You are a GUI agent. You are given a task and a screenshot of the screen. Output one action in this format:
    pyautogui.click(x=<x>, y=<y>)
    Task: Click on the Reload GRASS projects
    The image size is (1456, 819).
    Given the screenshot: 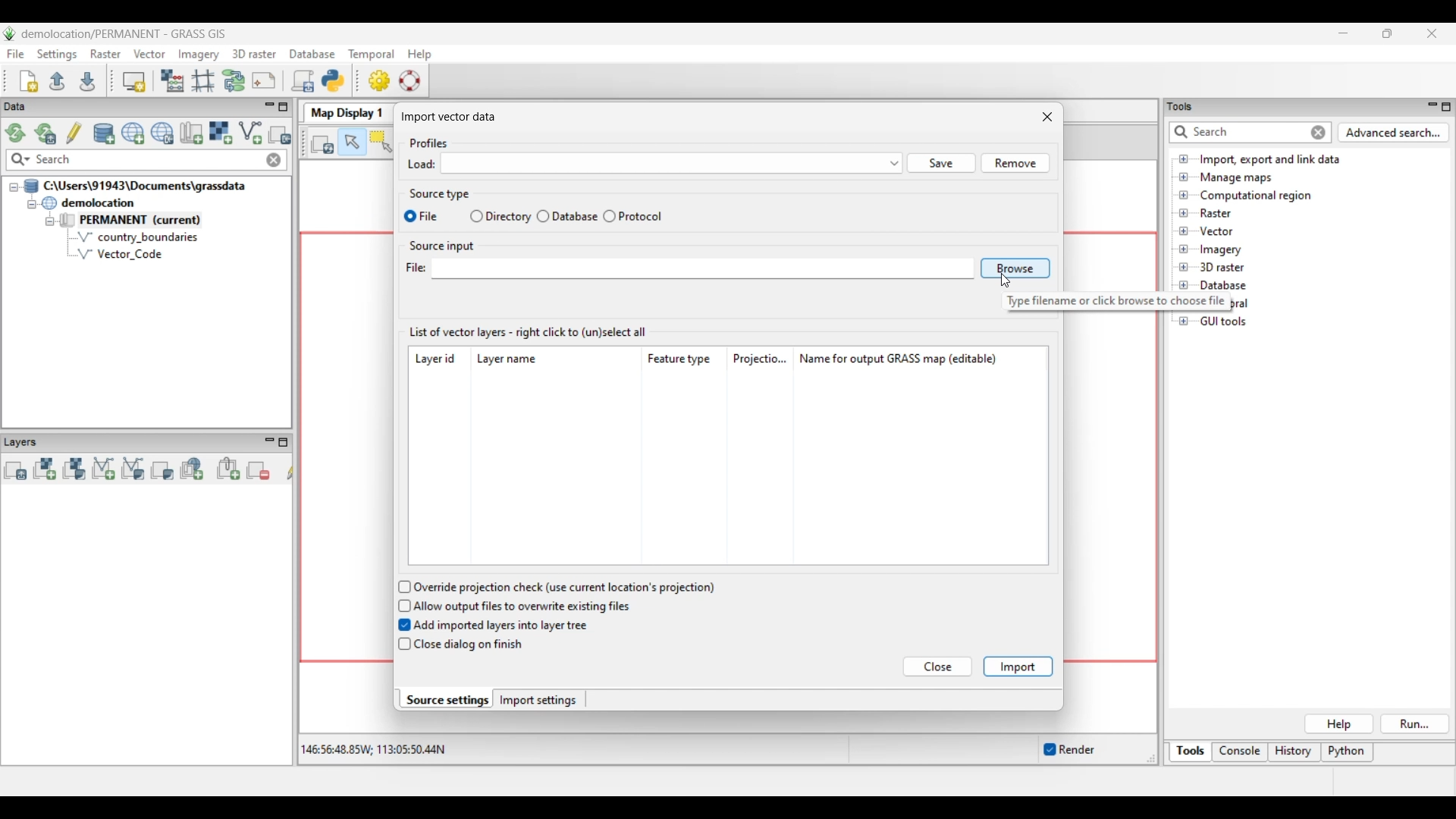 What is the action you would take?
    pyautogui.click(x=15, y=133)
    